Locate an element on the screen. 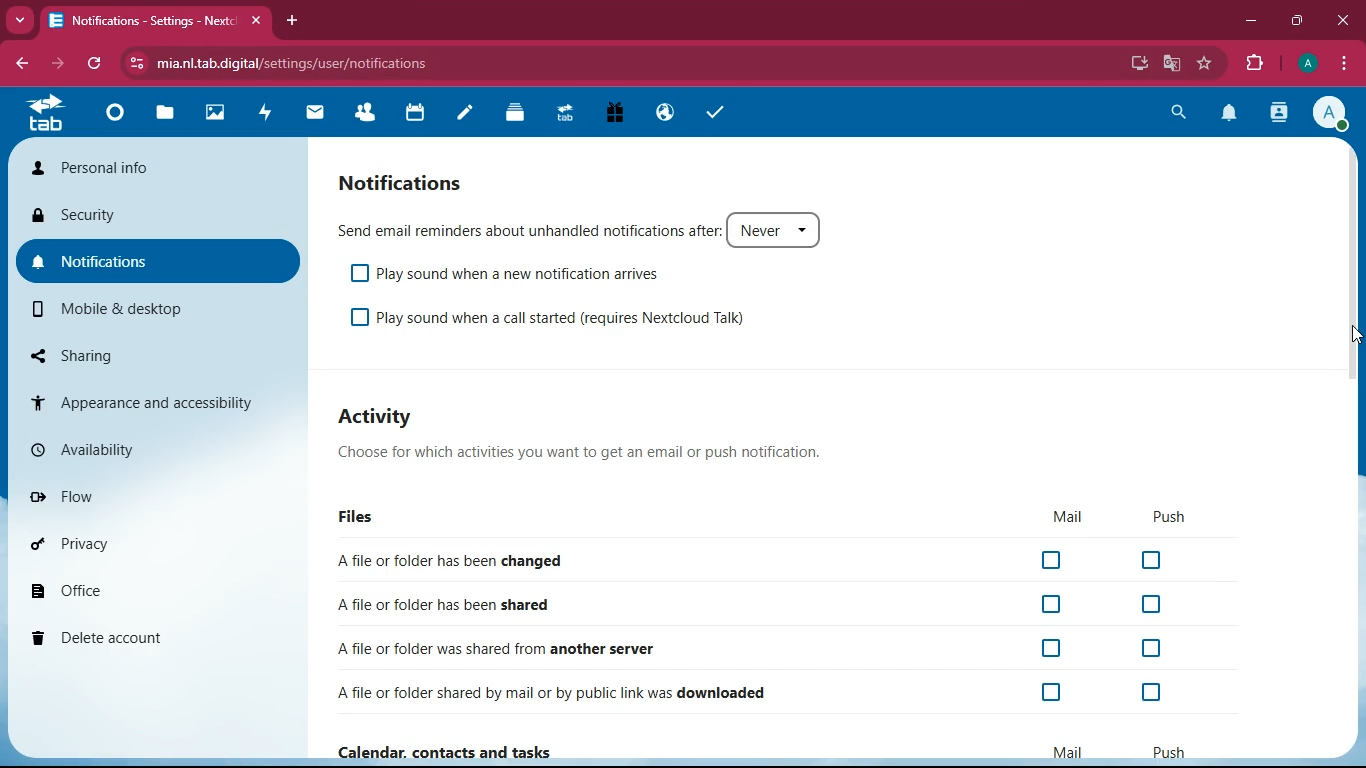 The width and height of the screenshot is (1366, 768). Never is located at coordinates (758, 229).